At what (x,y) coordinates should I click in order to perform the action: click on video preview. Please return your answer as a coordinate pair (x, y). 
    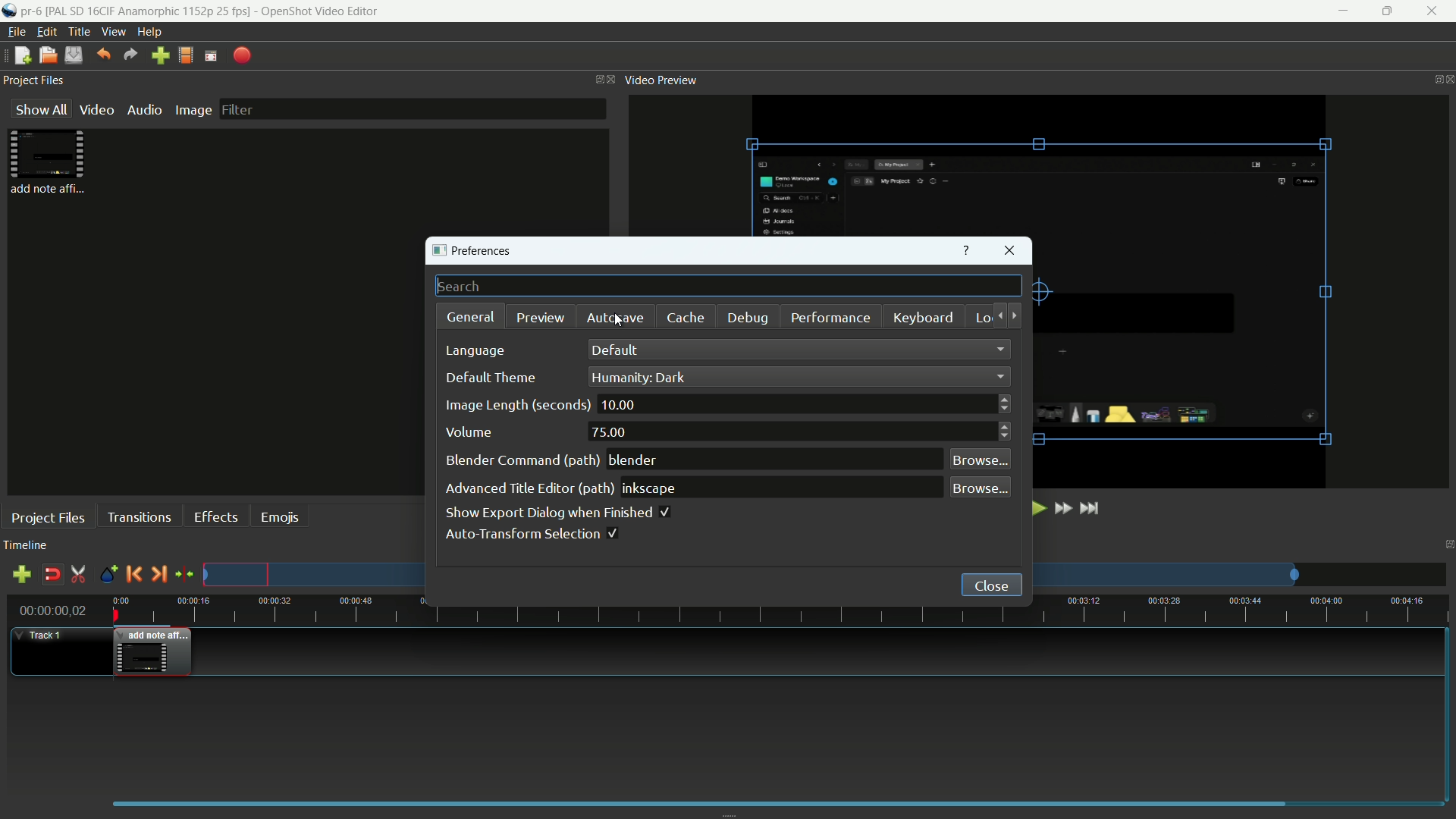
    Looking at the image, I should click on (661, 80).